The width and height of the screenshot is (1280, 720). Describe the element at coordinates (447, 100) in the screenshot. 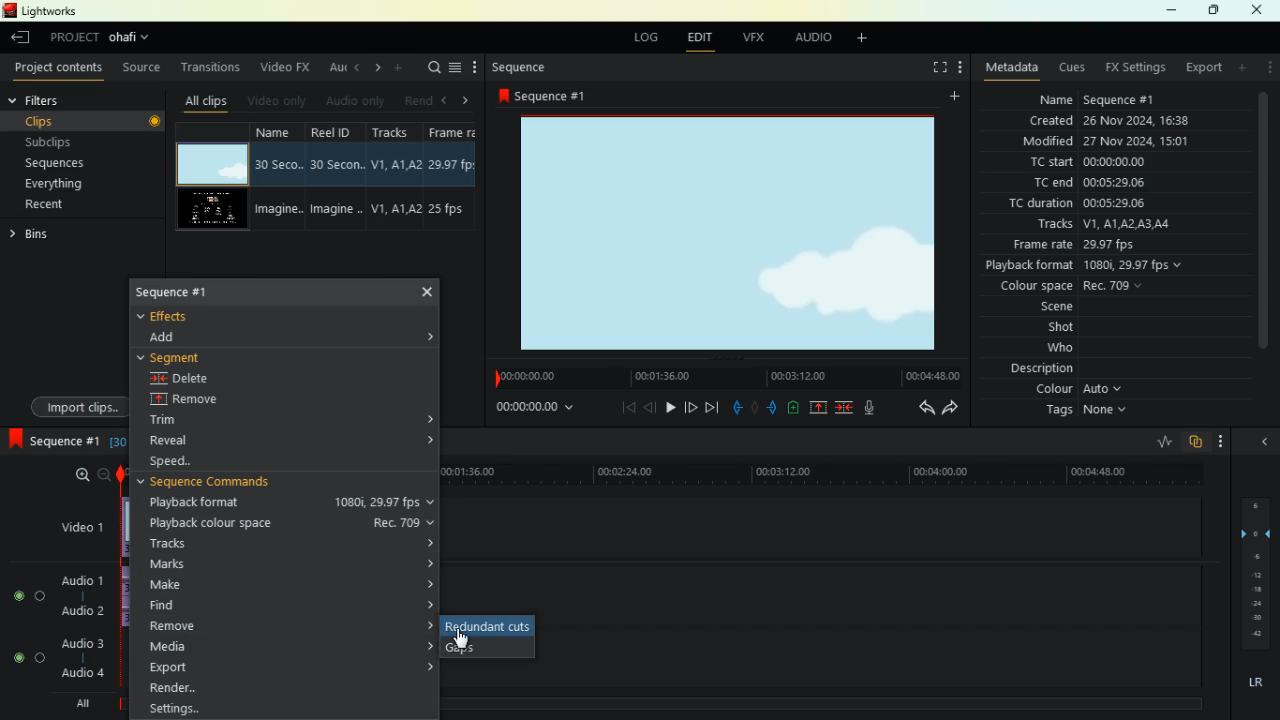

I see `left` at that location.